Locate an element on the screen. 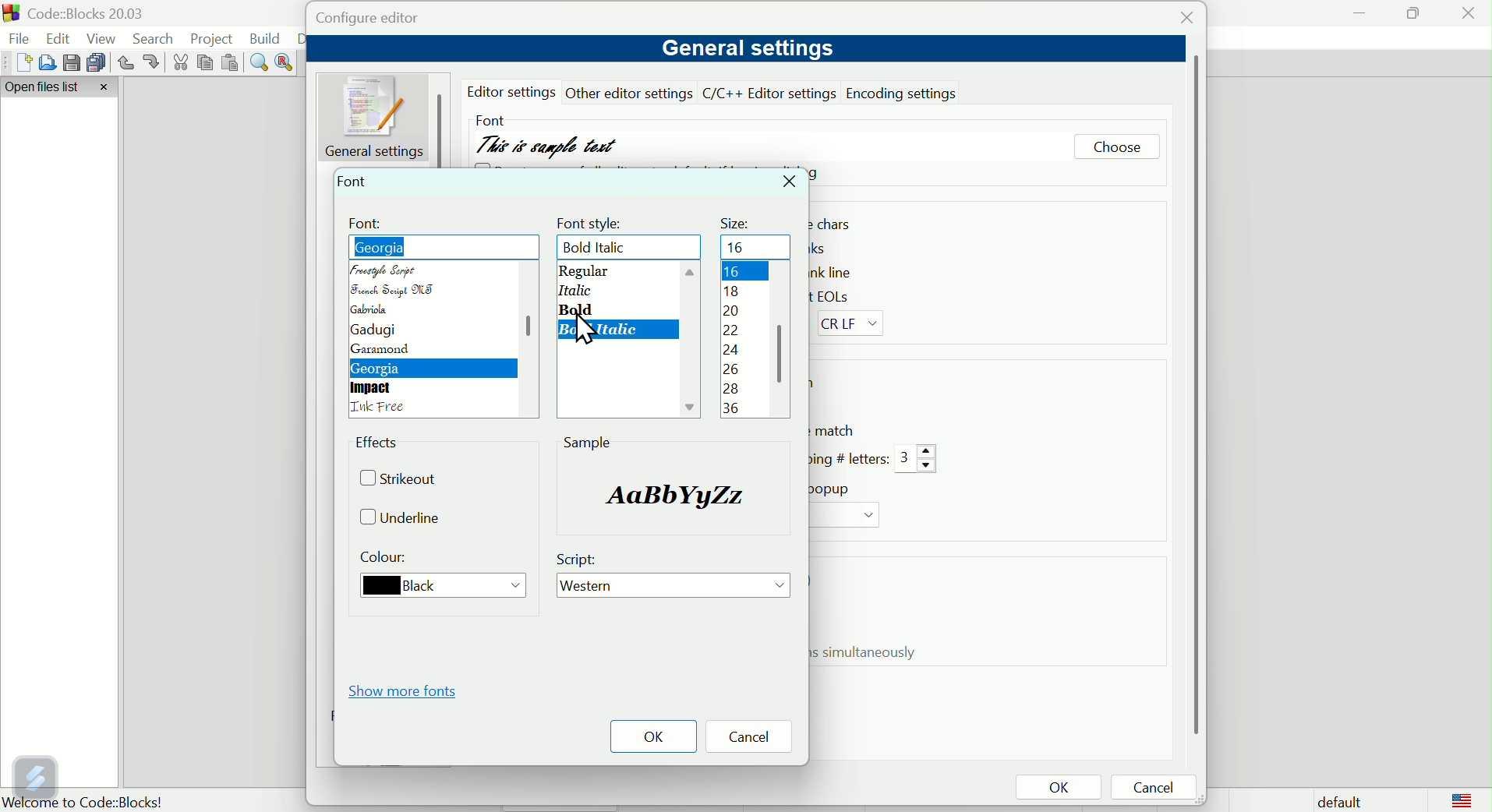  Oblique is located at coordinates (580, 291).